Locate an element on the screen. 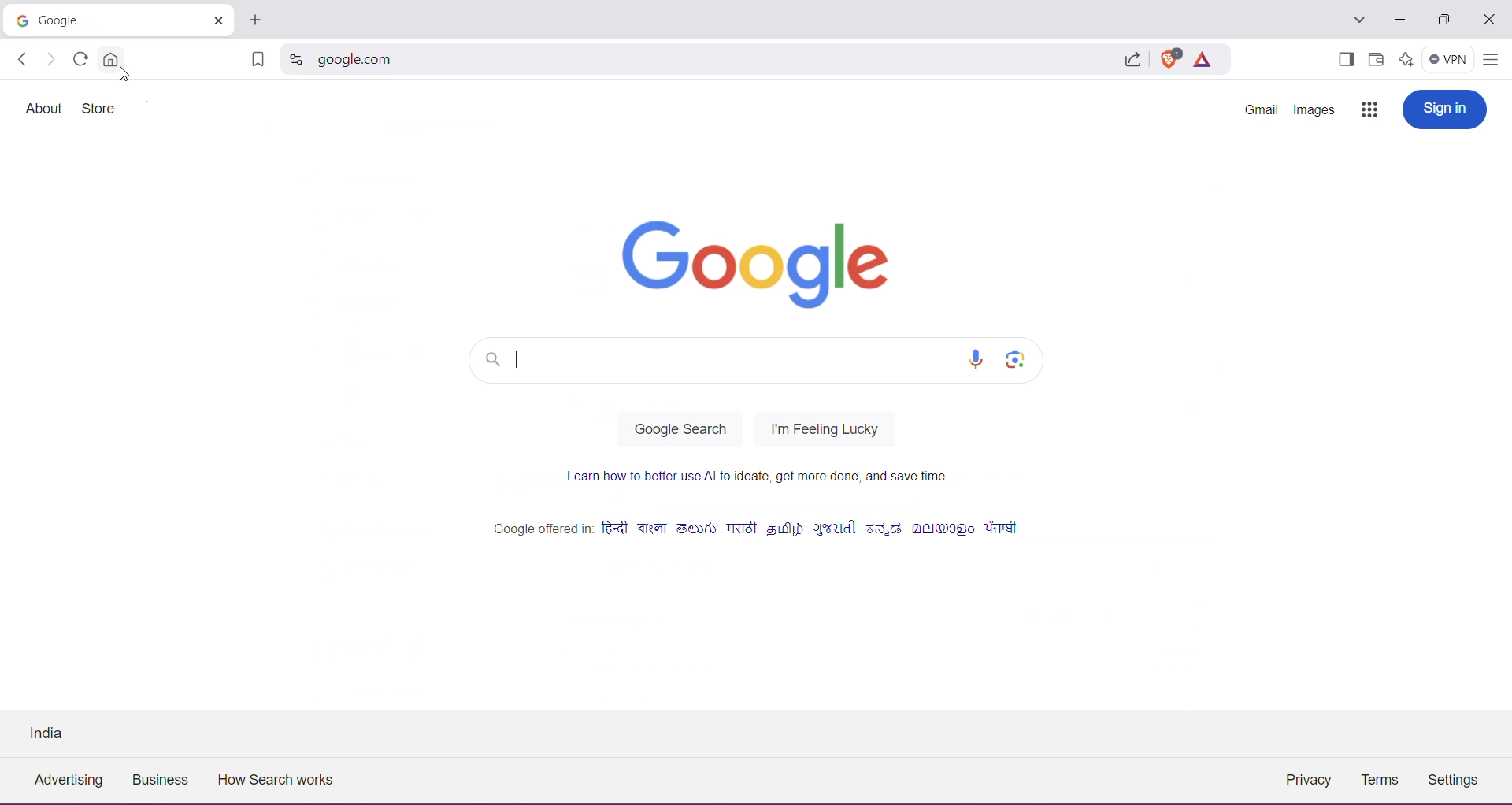 Image resolution: width=1512 pixels, height=805 pixels. Location is located at coordinates (53, 732).